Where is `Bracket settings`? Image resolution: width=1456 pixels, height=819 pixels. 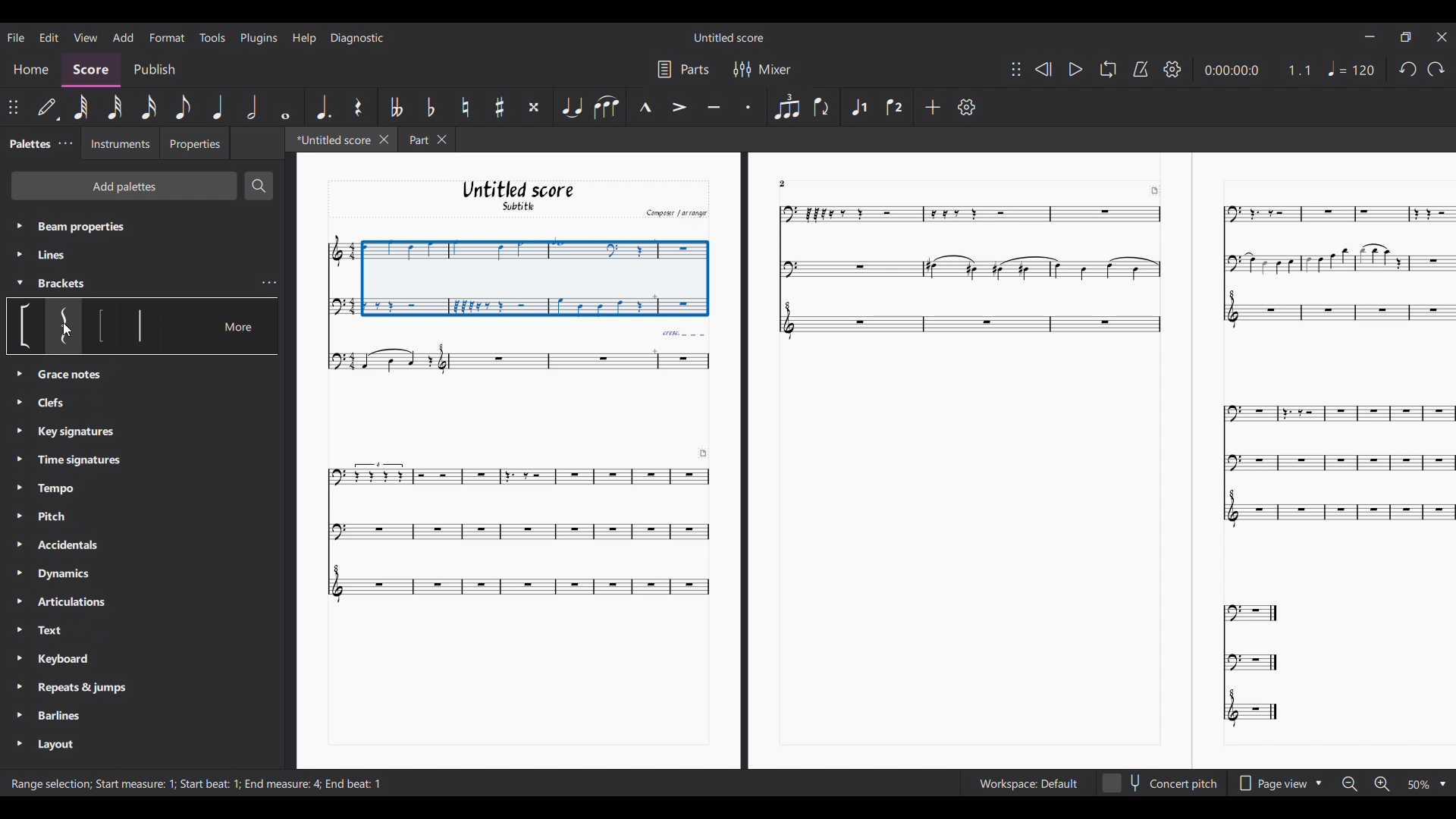
Bracket settings is located at coordinates (270, 283).